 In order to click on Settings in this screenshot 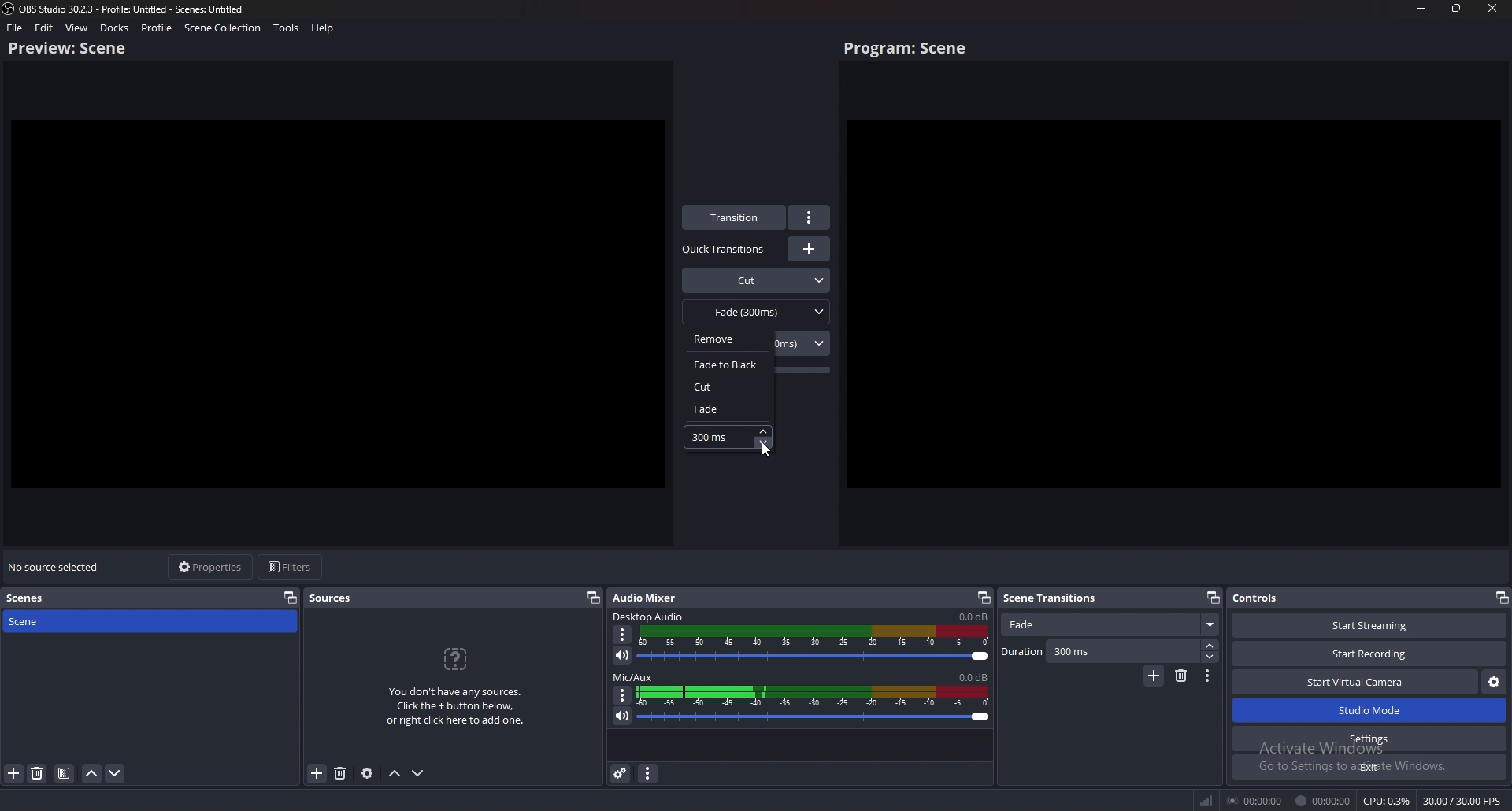, I will do `click(1370, 739)`.